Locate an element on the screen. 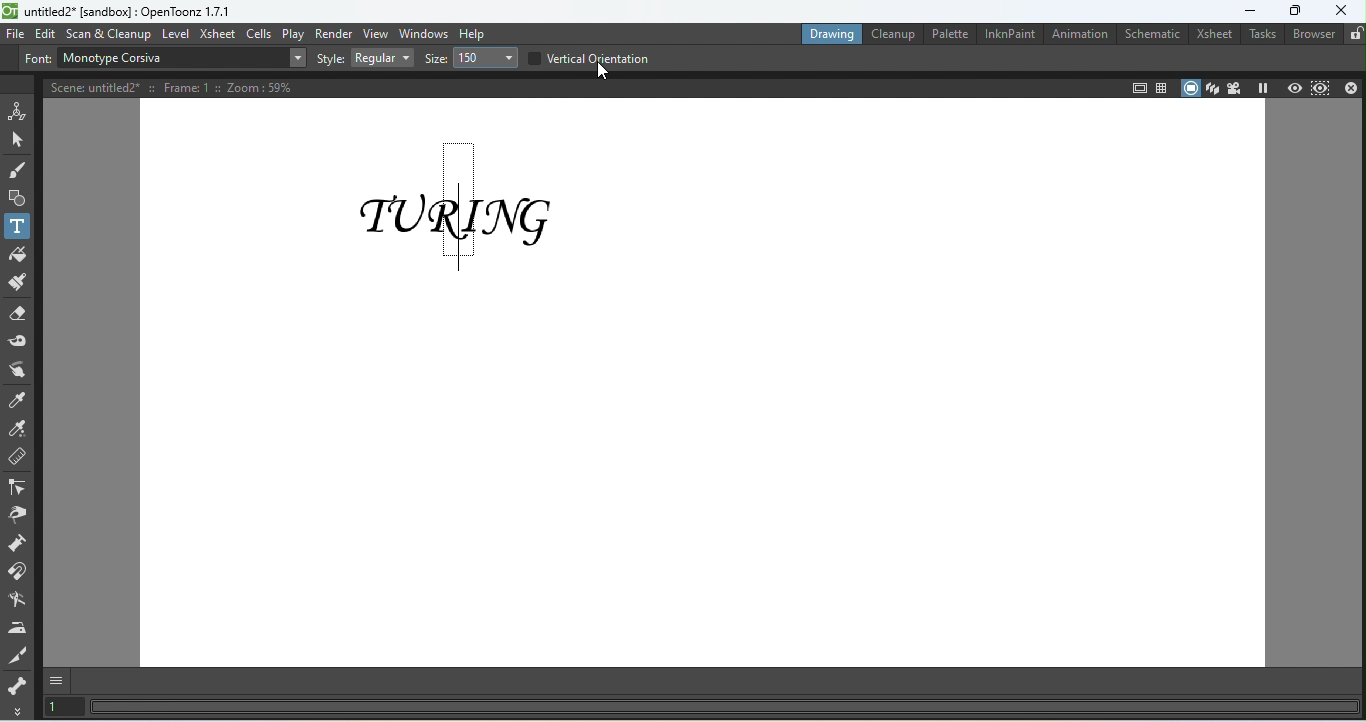 The width and height of the screenshot is (1366, 722). Tape tool is located at coordinates (19, 337).